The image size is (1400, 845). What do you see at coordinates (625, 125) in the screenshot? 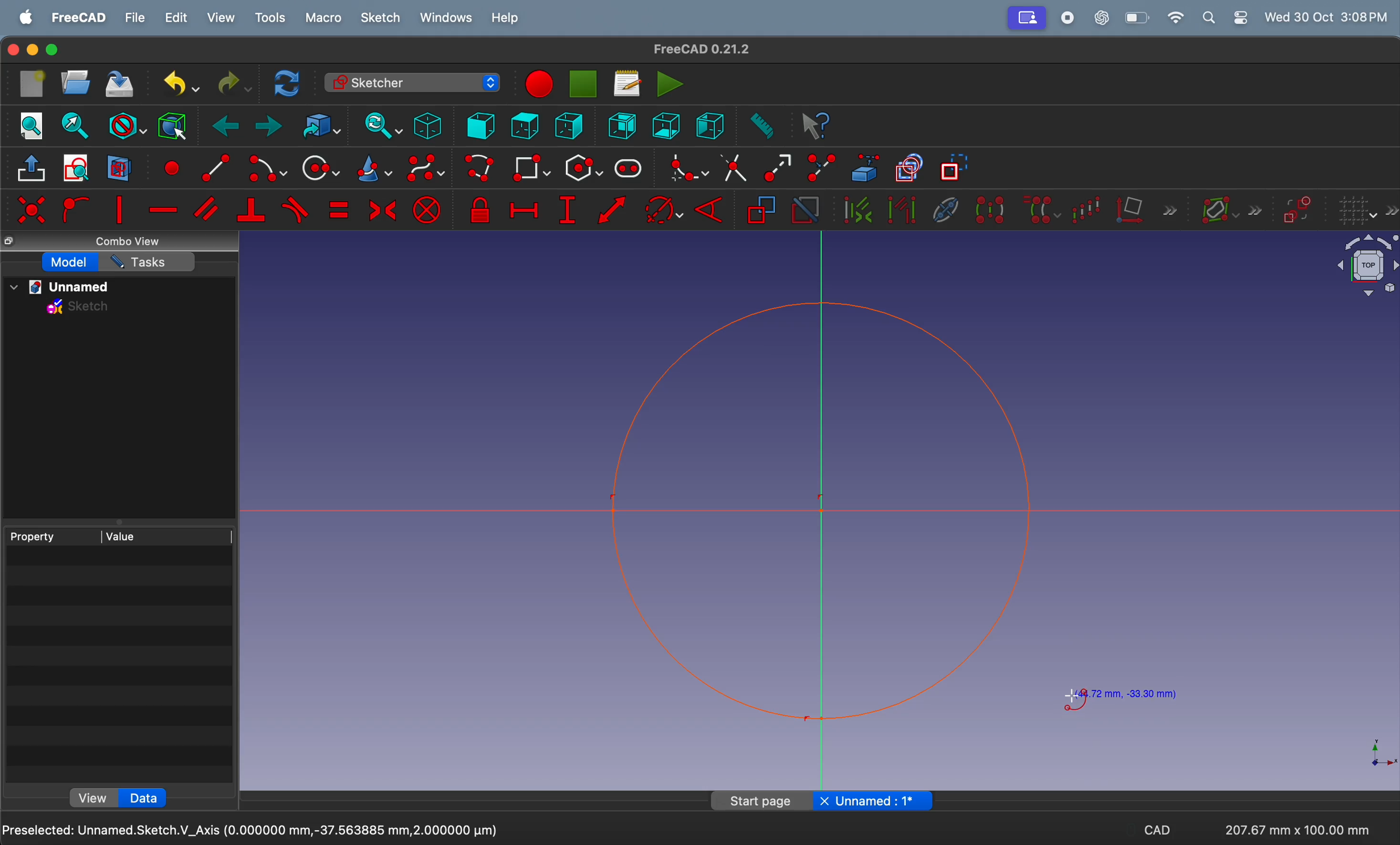
I see `rear view` at bounding box center [625, 125].